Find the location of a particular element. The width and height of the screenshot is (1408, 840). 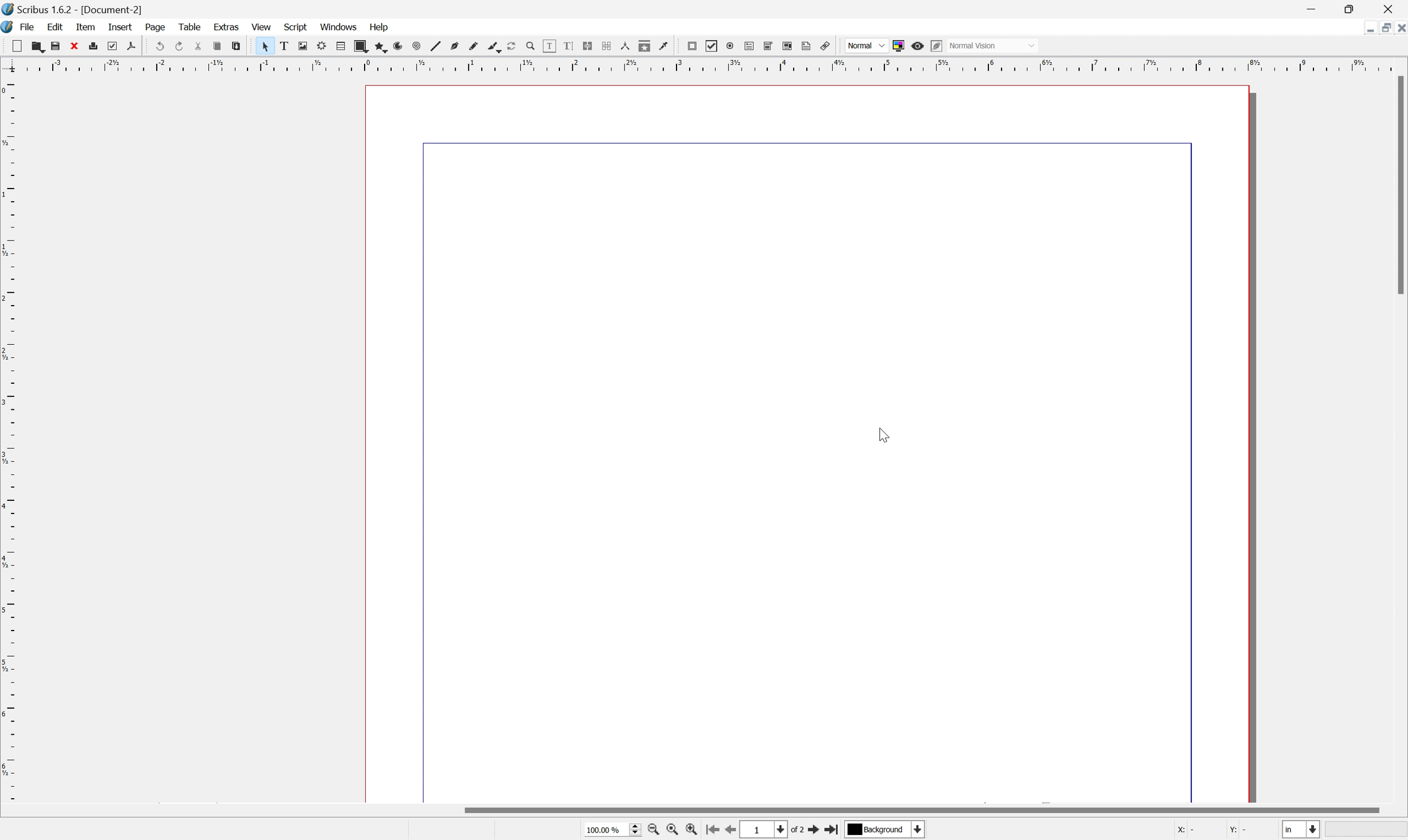

X: -  Y: - is located at coordinates (1212, 830).